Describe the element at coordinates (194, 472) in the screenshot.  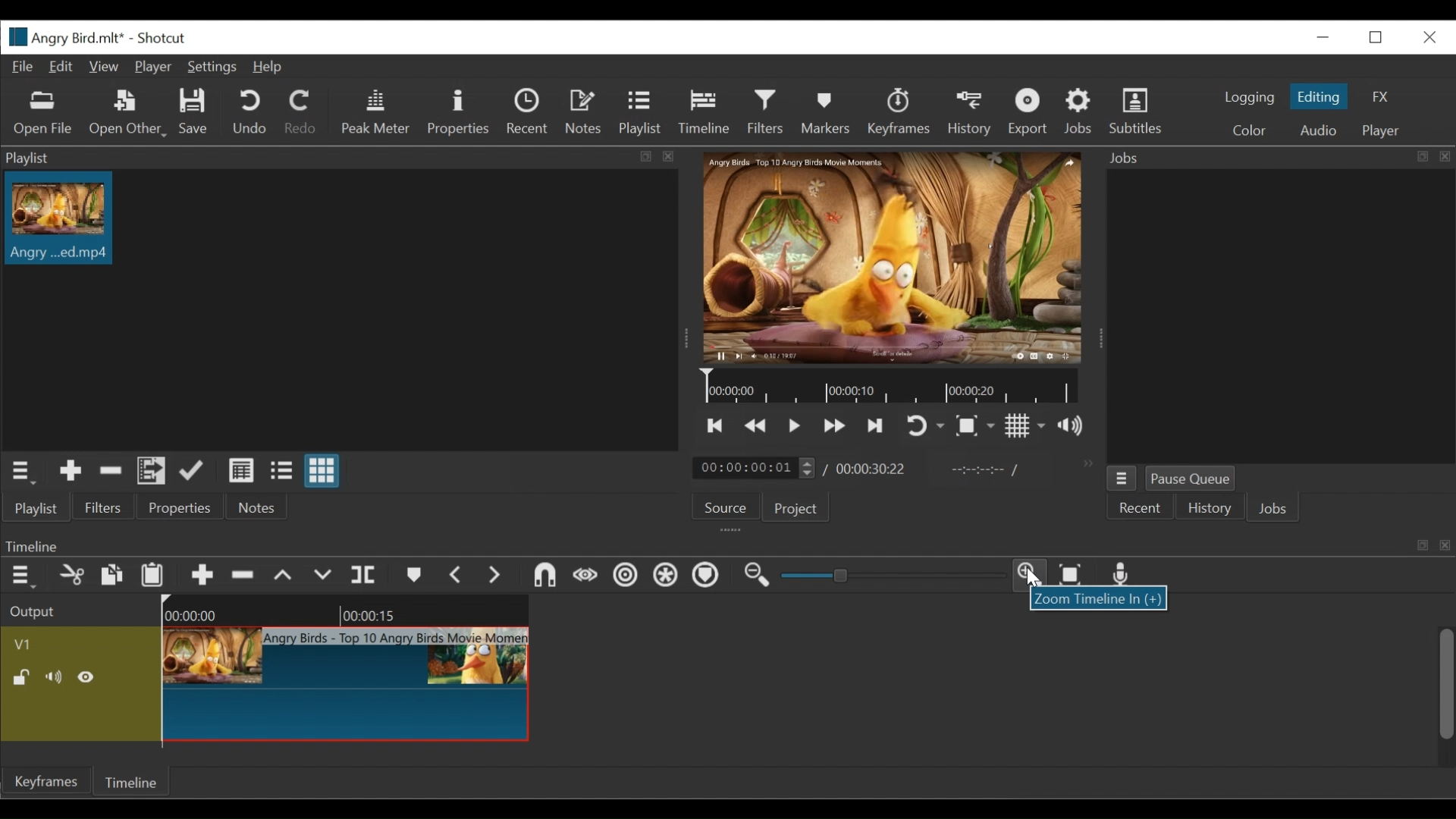
I see `Update` at that location.